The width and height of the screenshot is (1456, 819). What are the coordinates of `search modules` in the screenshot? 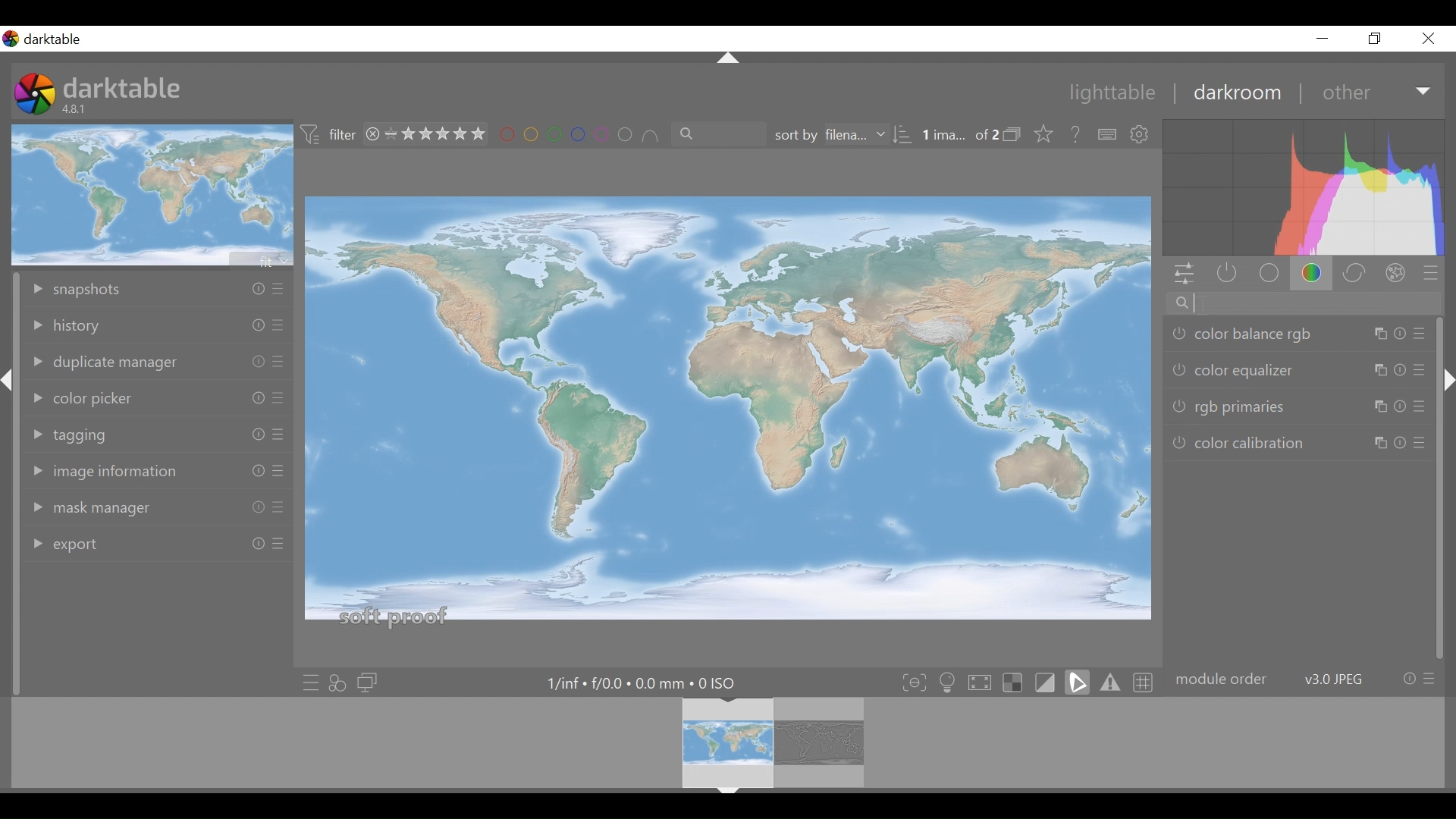 It's located at (1301, 303).